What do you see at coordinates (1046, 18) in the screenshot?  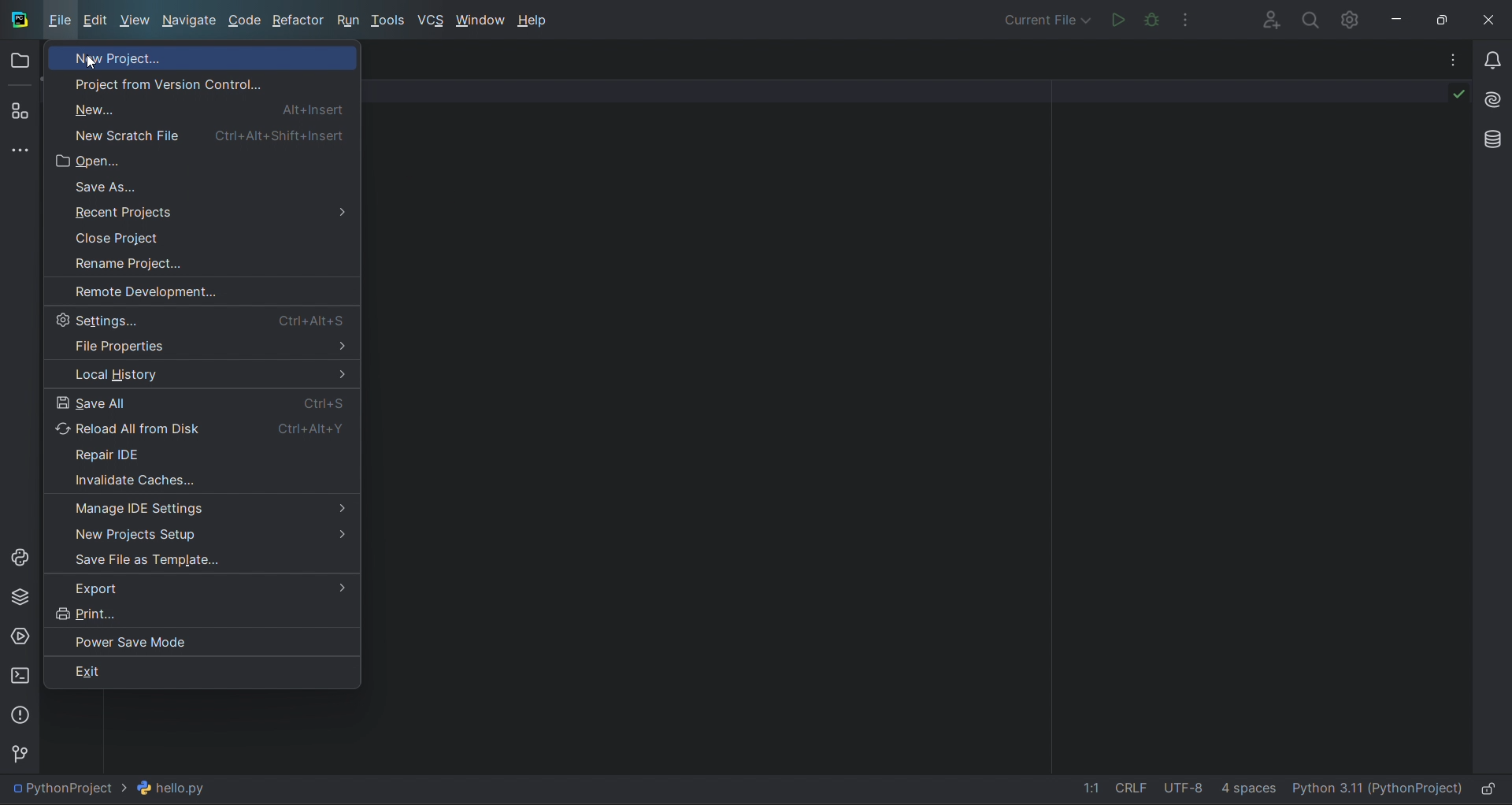 I see `debug/run options` at bounding box center [1046, 18].